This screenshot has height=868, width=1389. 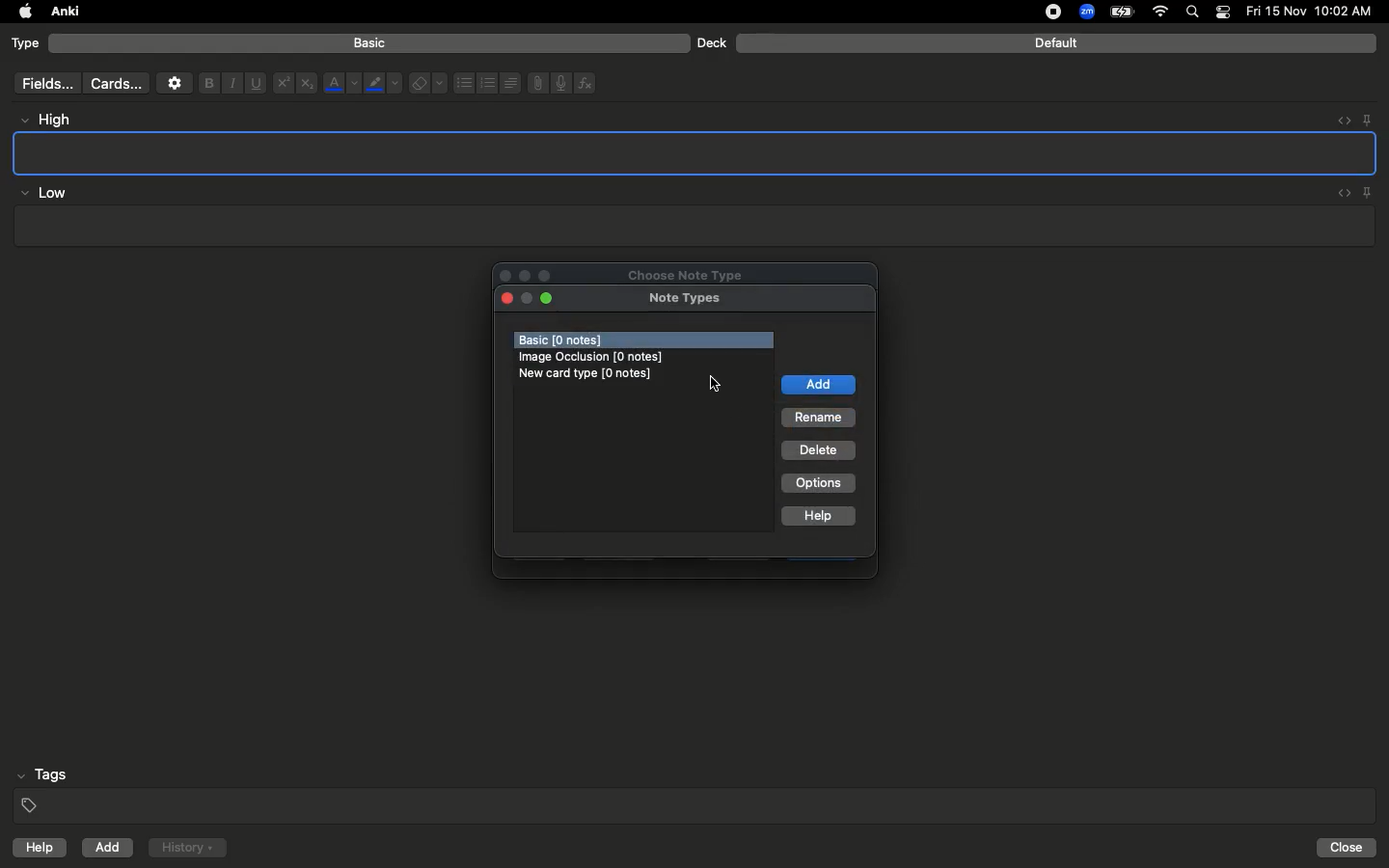 What do you see at coordinates (282, 84) in the screenshot?
I see `Superscript` at bounding box center [282, 84].